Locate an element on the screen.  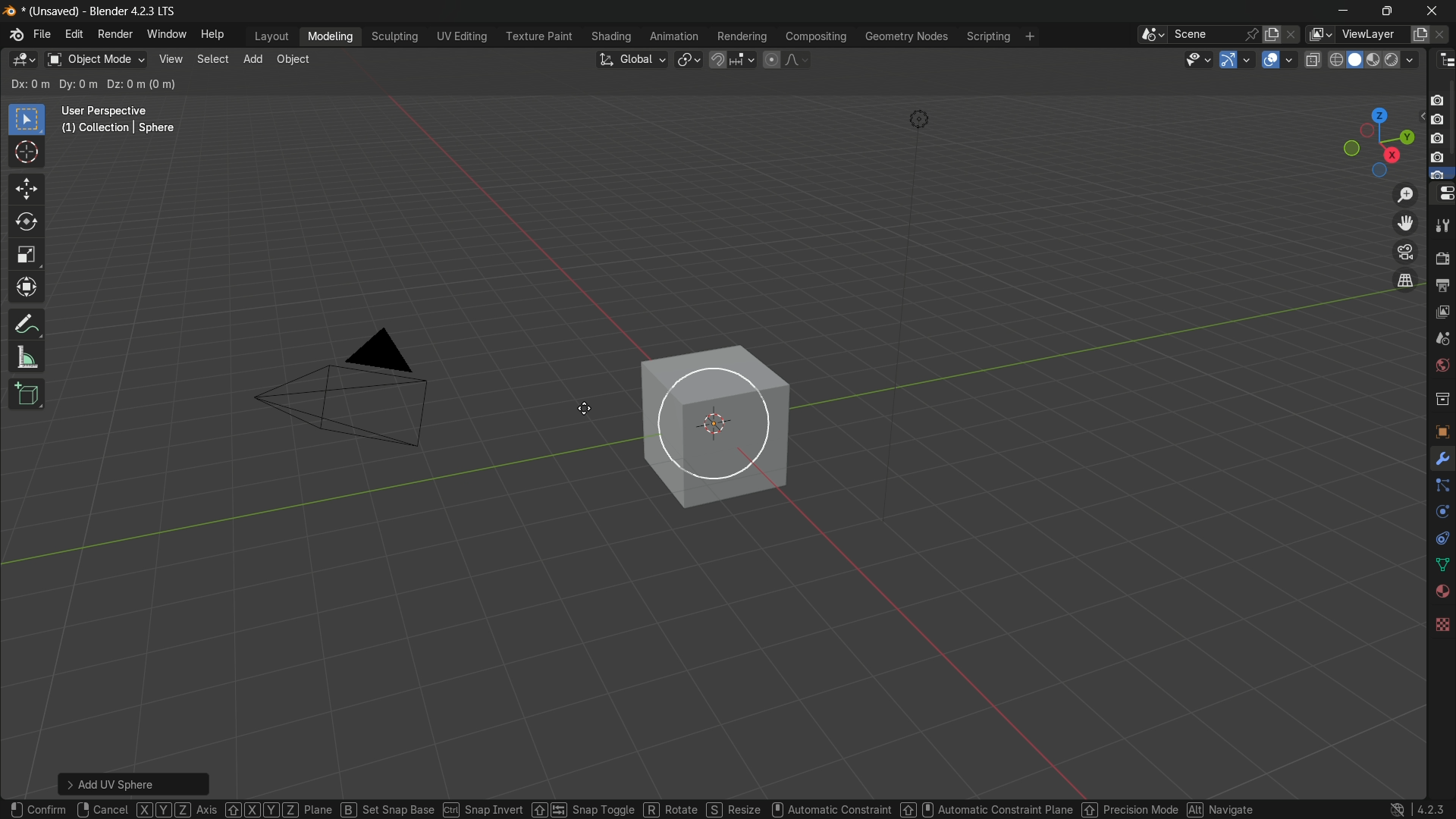
measure is located at coordinates (28, 359).